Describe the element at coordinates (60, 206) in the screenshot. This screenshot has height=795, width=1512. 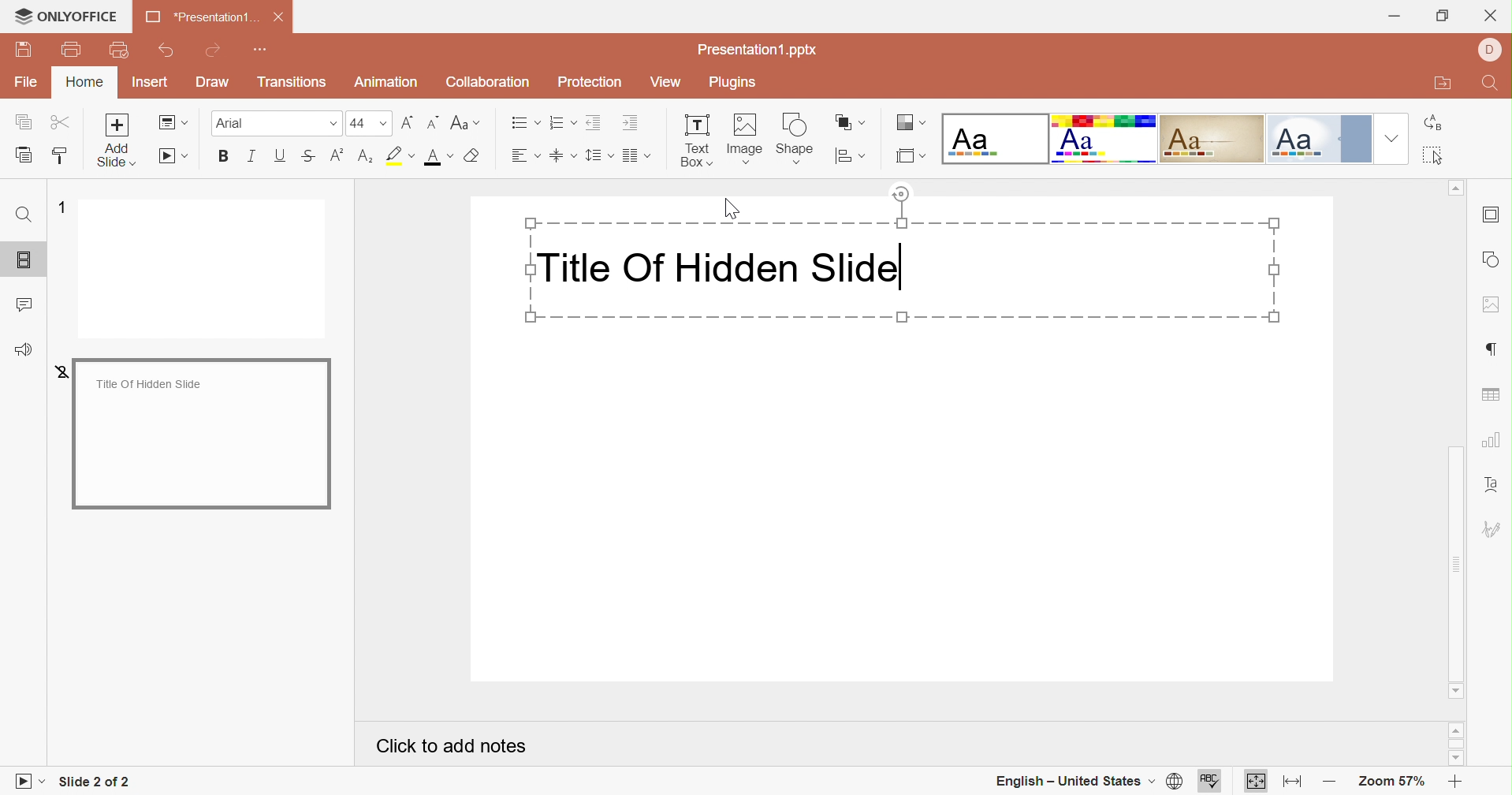
I see `1` at that location.